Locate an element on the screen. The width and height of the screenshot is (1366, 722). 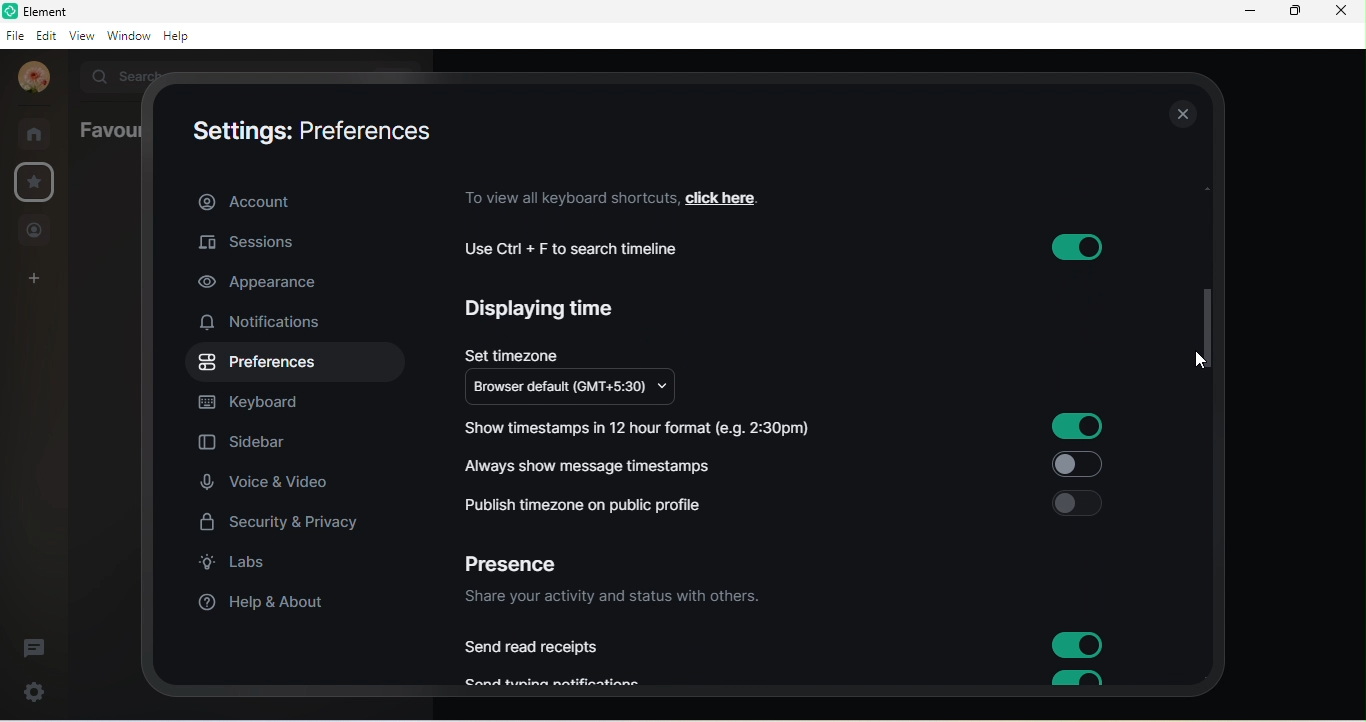
button is located at coordinates (1076, 465).